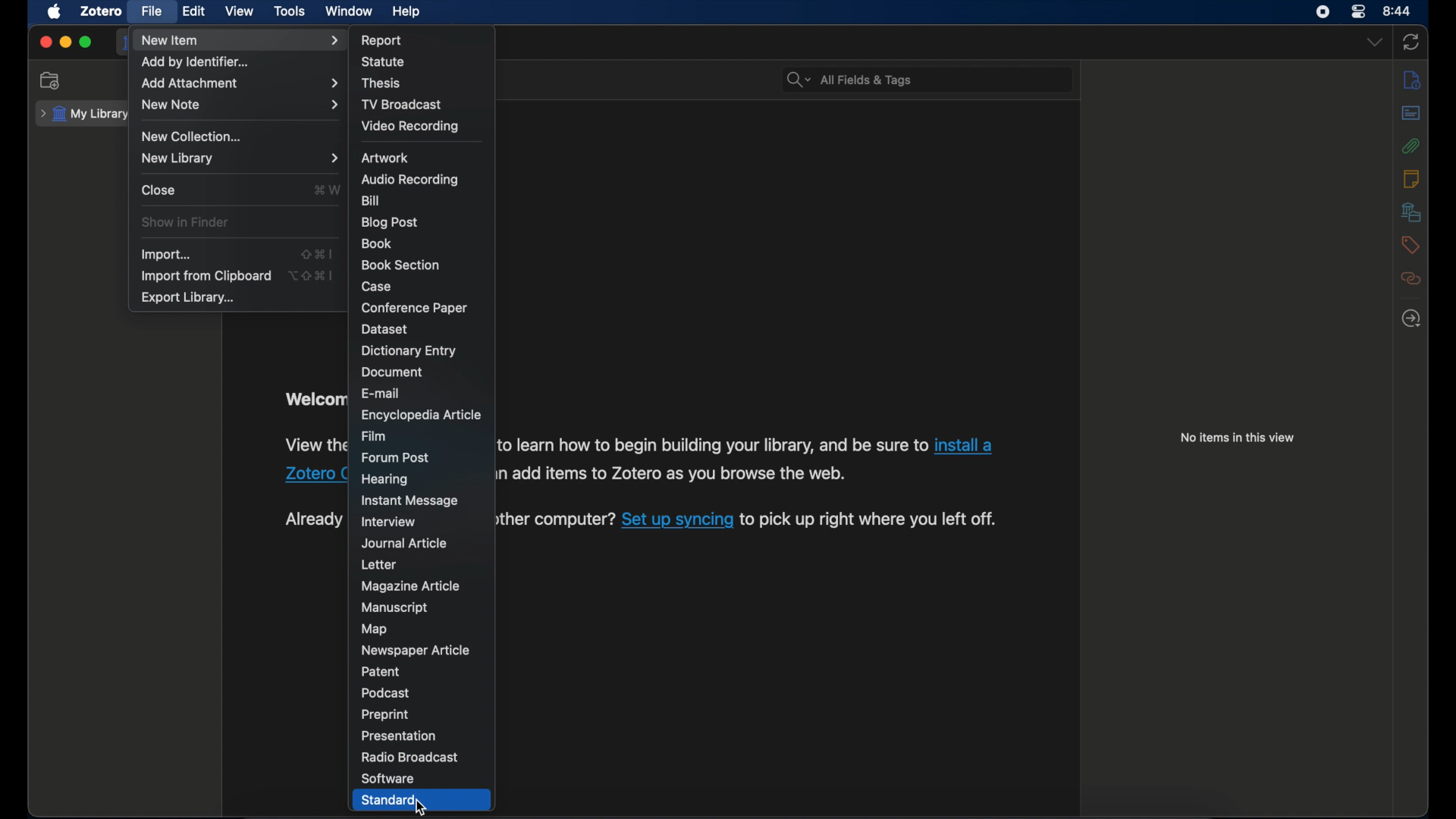 The width and height of the screenshot is (1456, 819). I want to click on add by identifier, so click(199, 62).